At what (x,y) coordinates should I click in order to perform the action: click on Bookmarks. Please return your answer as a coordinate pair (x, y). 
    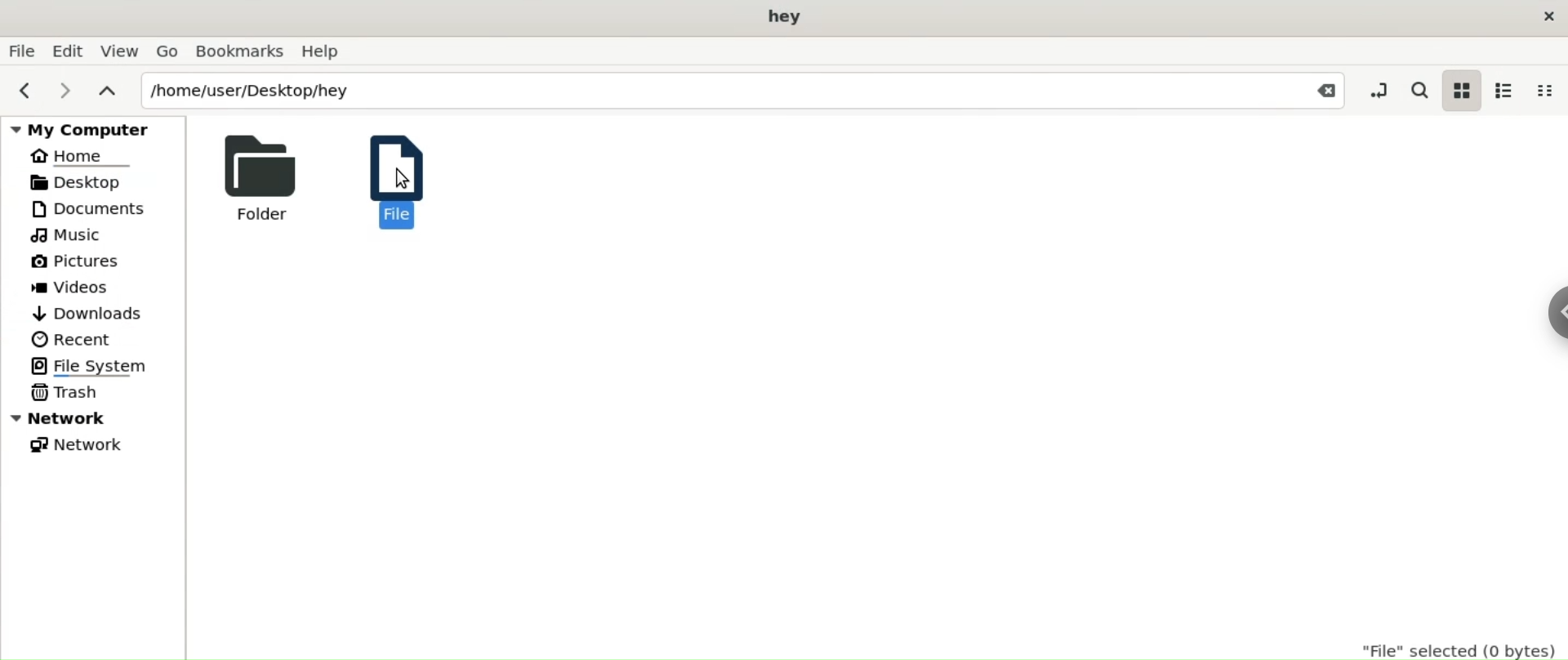
    Looking at the image, I should click on (242, 53).